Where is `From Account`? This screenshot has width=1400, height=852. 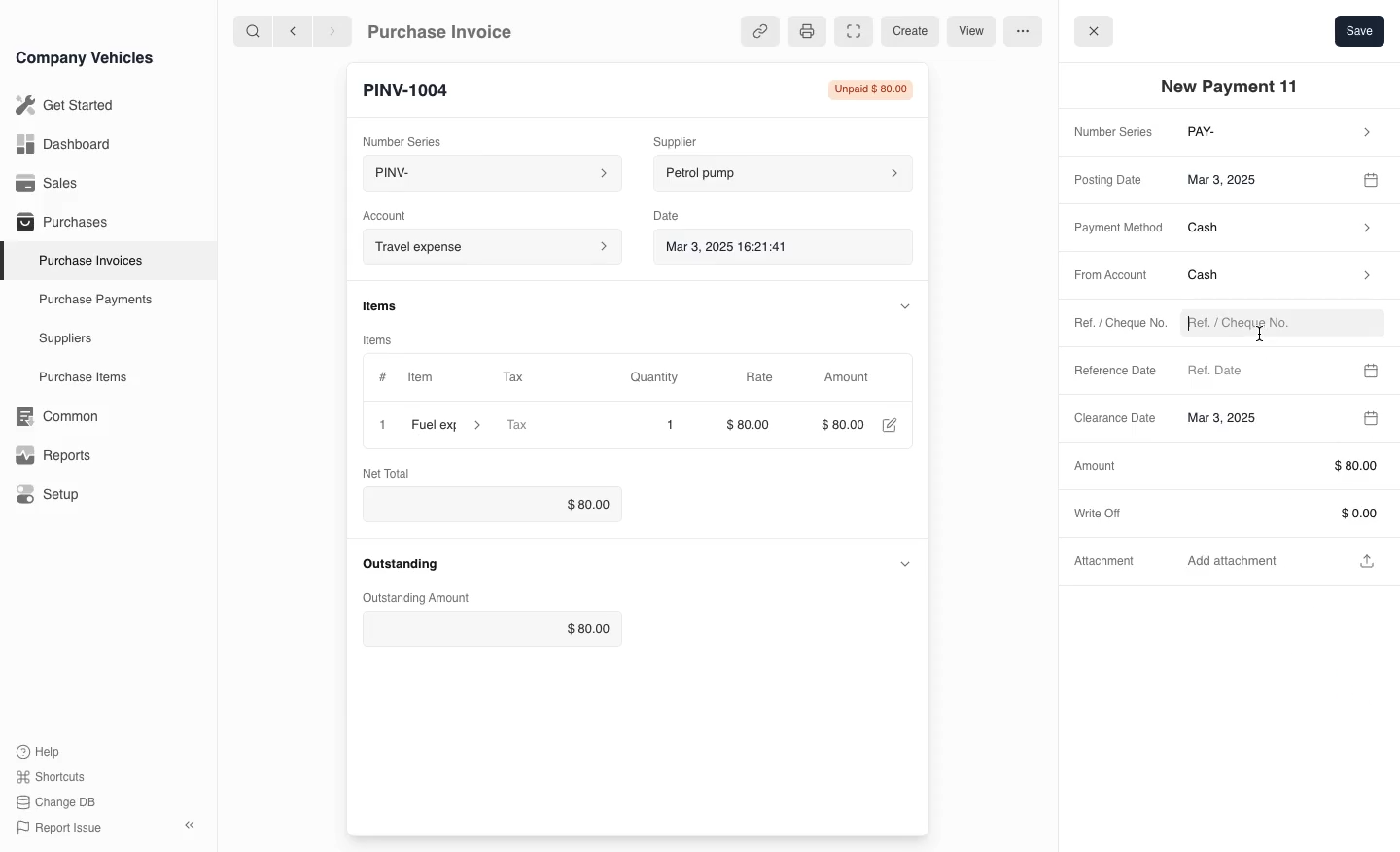 From Account is located at coordinates (1104, 276).